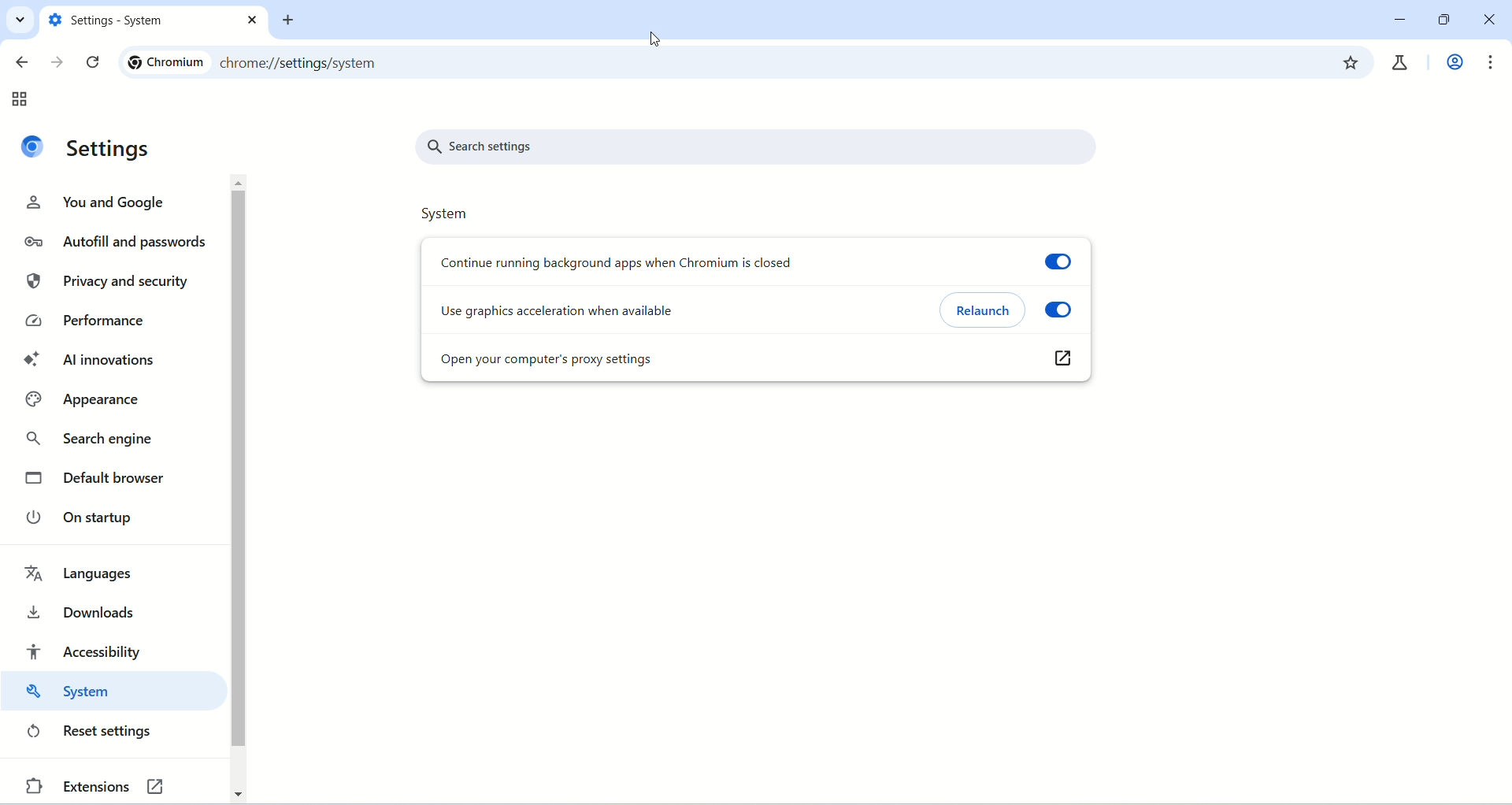 This screenshot has width=1512, height=805. Describe the element at coordinates (94, 443) in the screenshot. I see `search engine` at that location.